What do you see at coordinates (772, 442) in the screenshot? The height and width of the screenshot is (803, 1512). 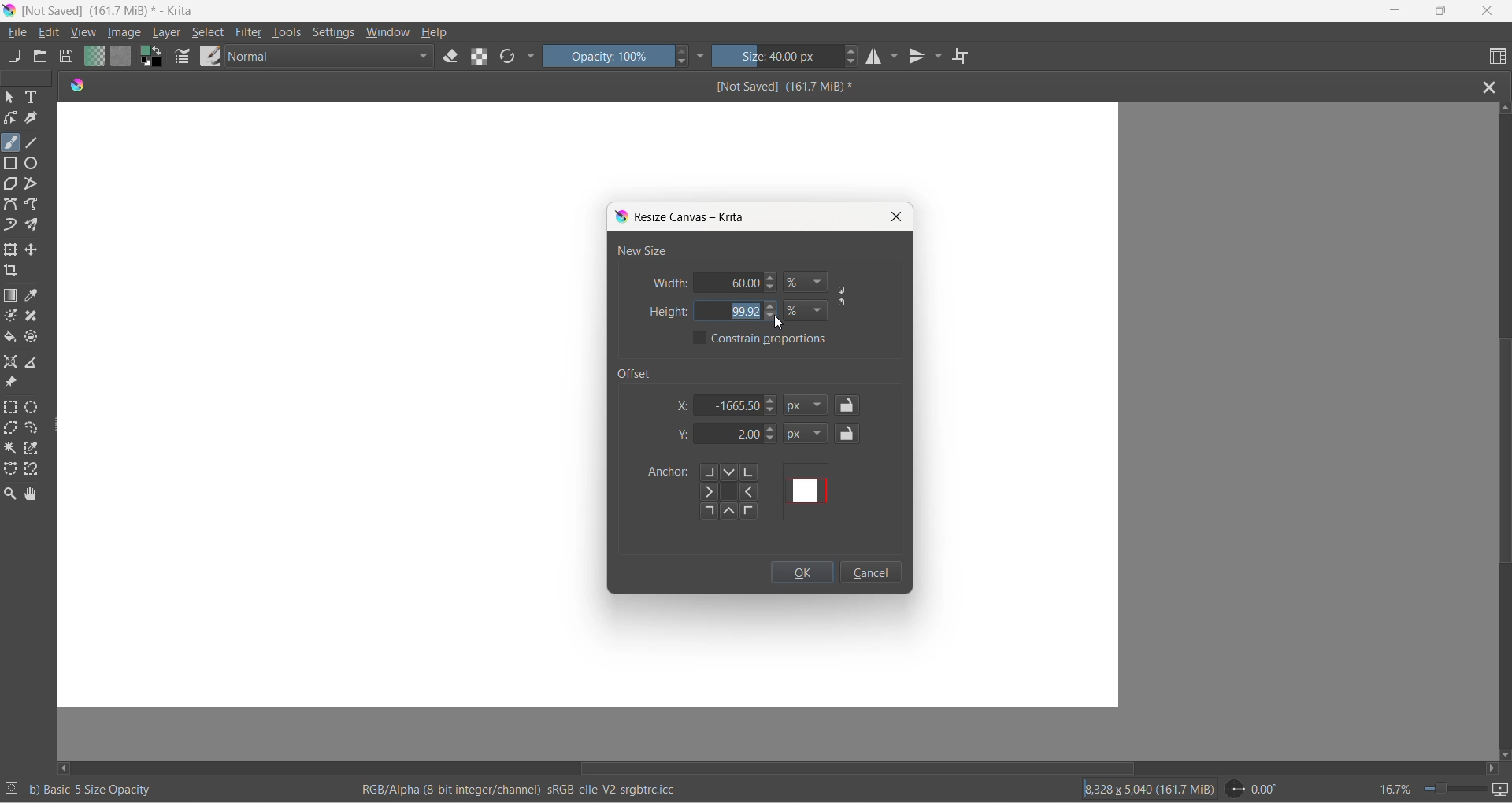 I see `y-axis value decrement` at bounding box center [772, 442].